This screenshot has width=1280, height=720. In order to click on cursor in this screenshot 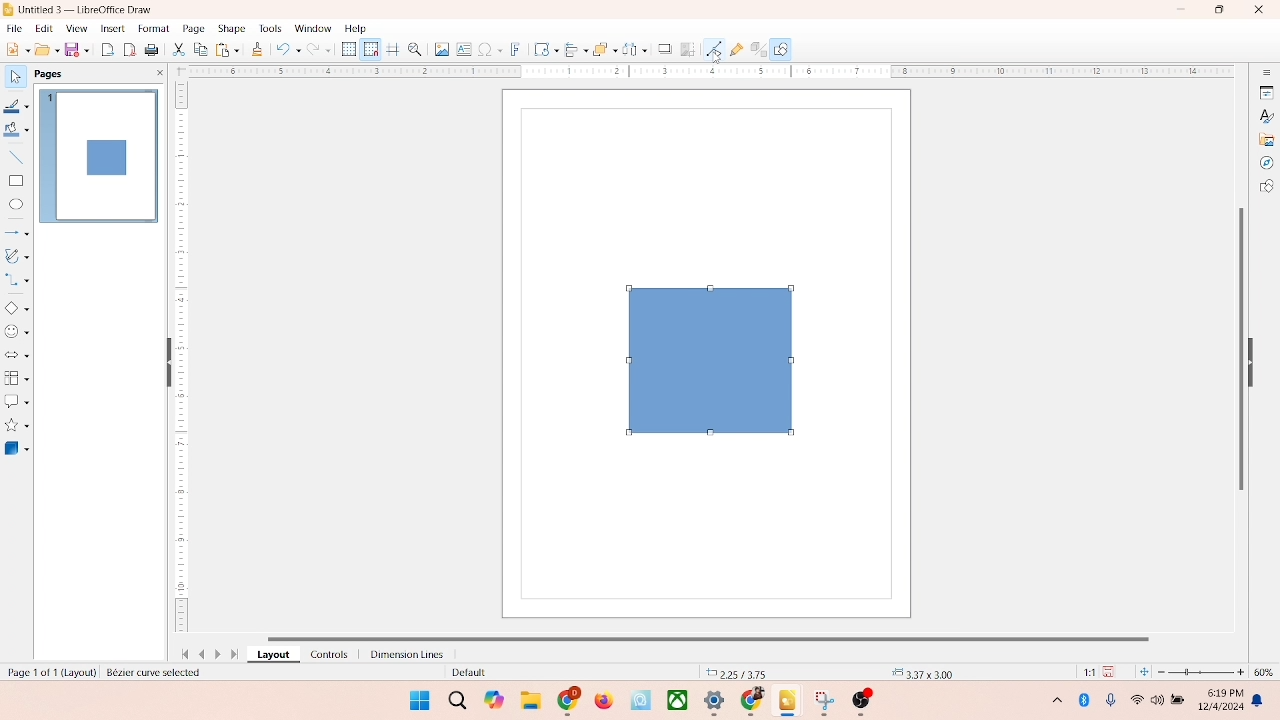, I will do `click(716, 58)`.